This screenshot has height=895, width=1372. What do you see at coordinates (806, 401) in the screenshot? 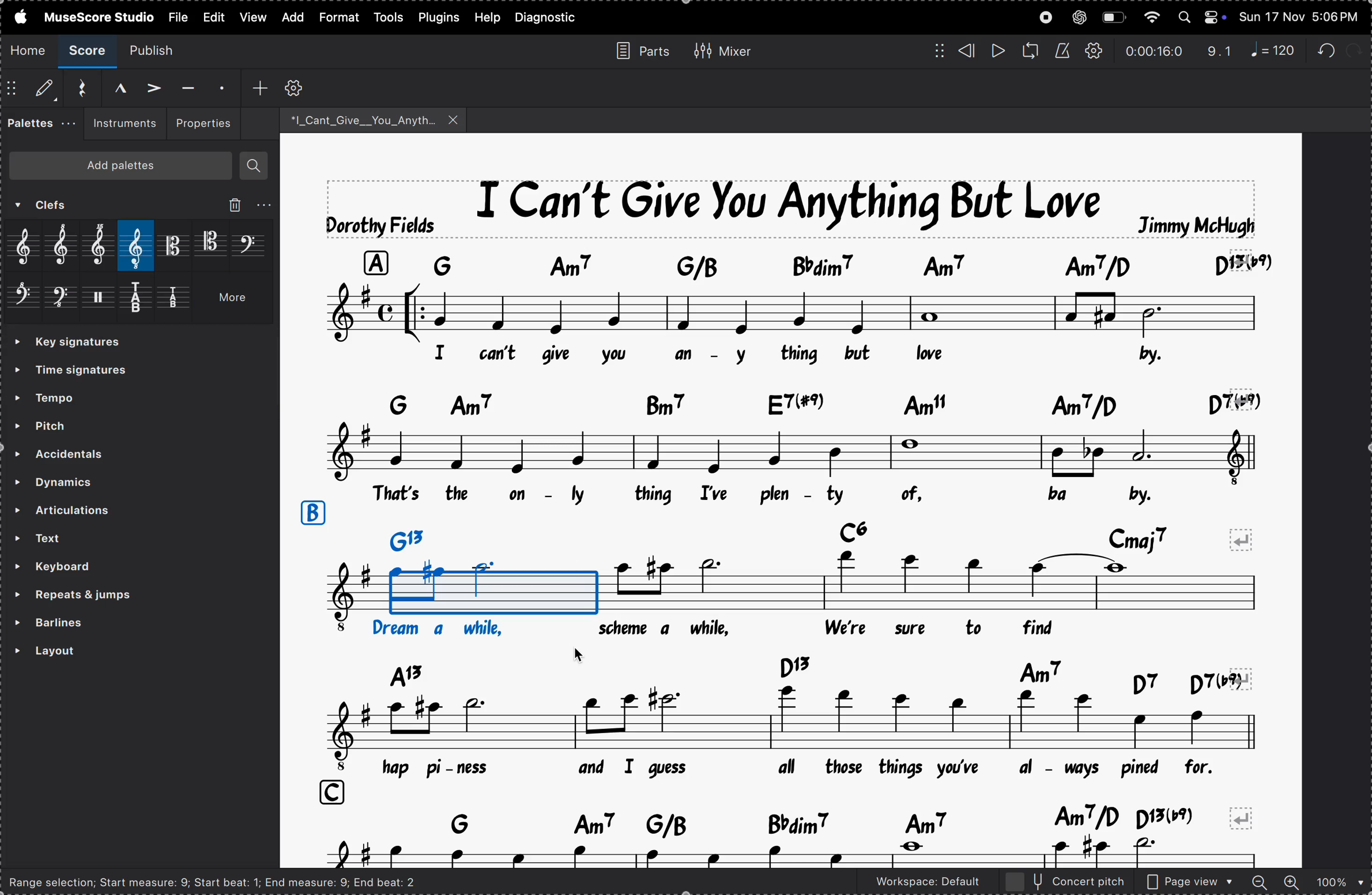
I see `key notes` at bounding box center [806, 401].